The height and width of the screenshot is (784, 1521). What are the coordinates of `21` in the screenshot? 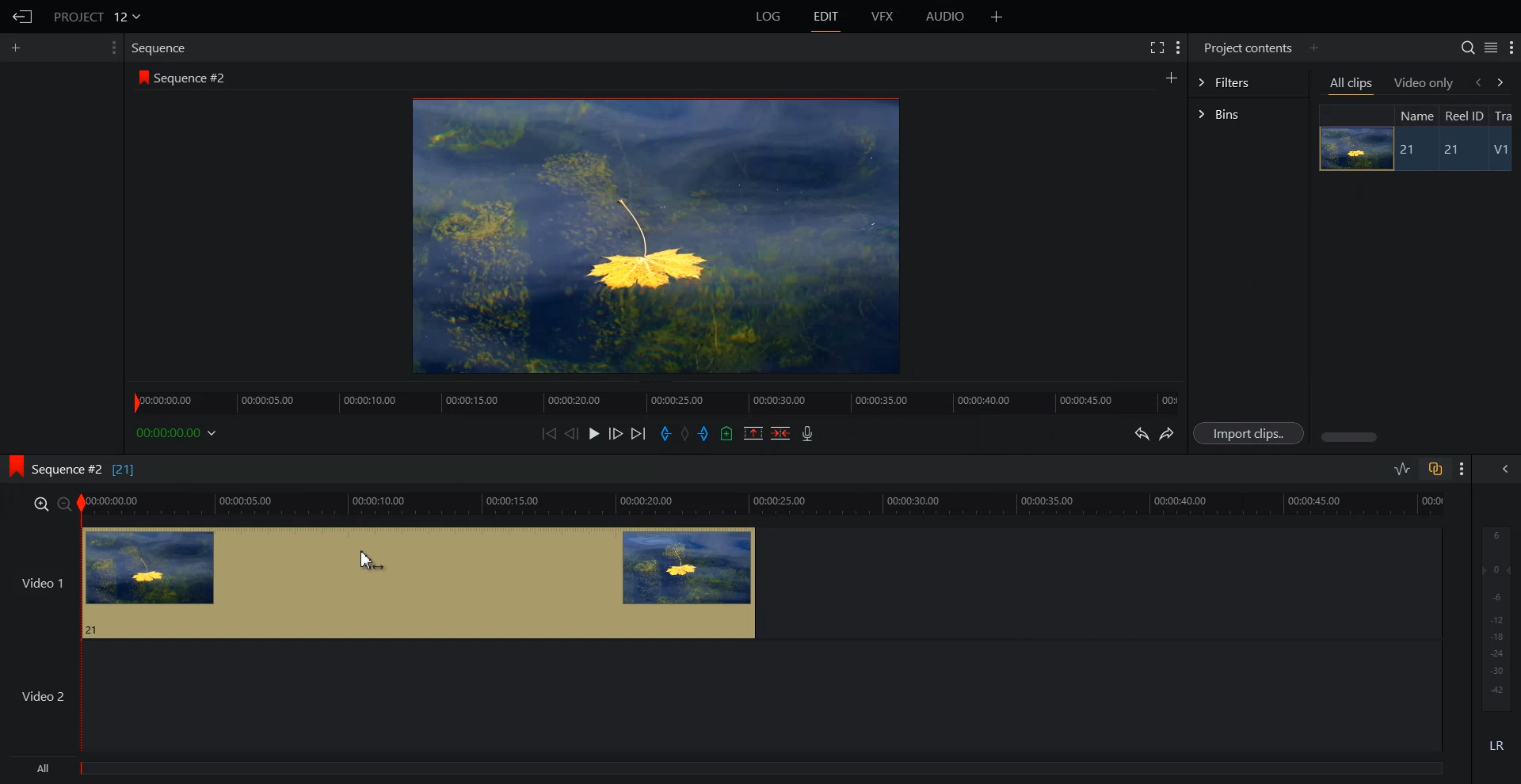 It's located at (1409, 150).